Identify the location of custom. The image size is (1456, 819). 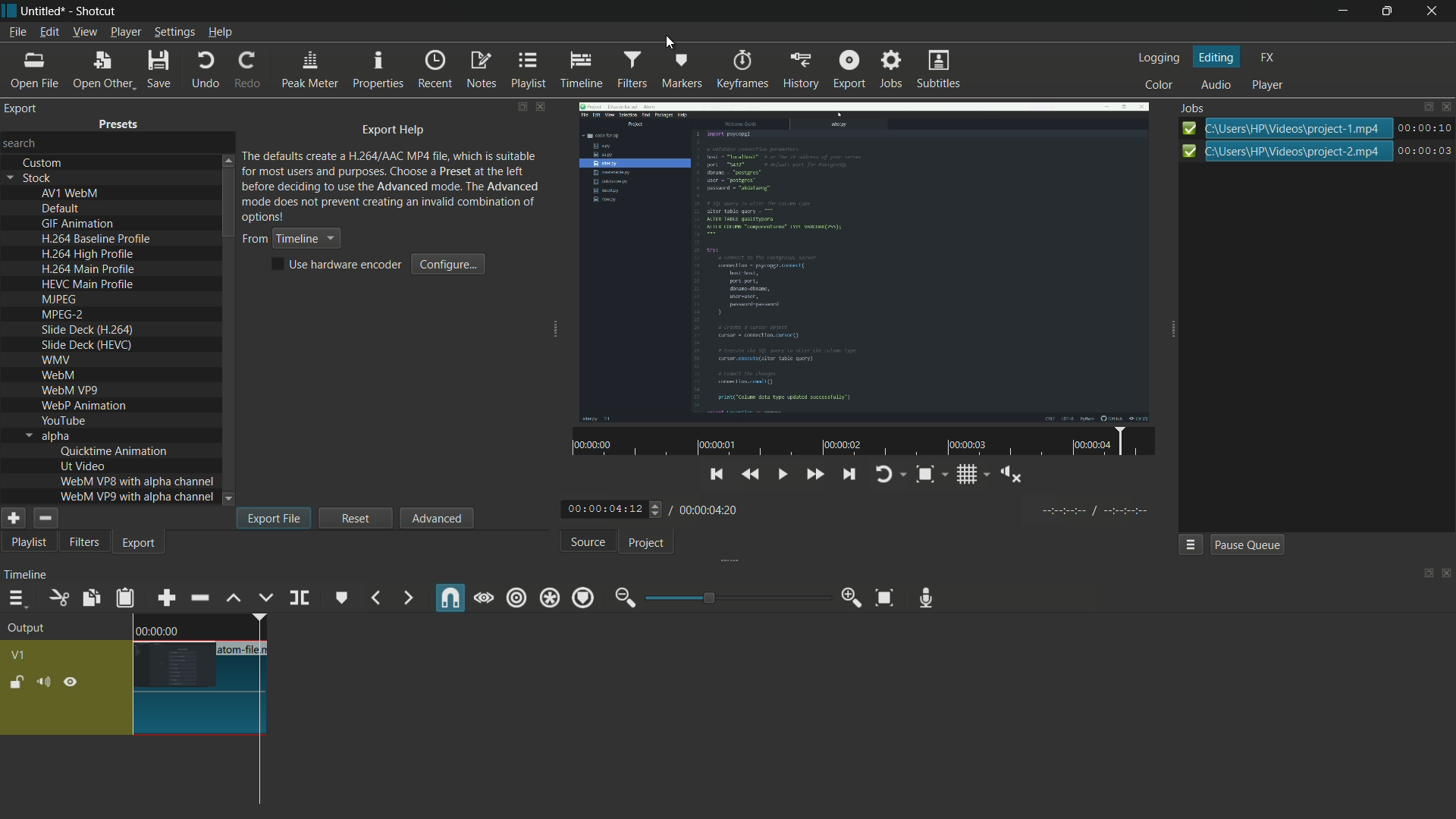
(43, 163).